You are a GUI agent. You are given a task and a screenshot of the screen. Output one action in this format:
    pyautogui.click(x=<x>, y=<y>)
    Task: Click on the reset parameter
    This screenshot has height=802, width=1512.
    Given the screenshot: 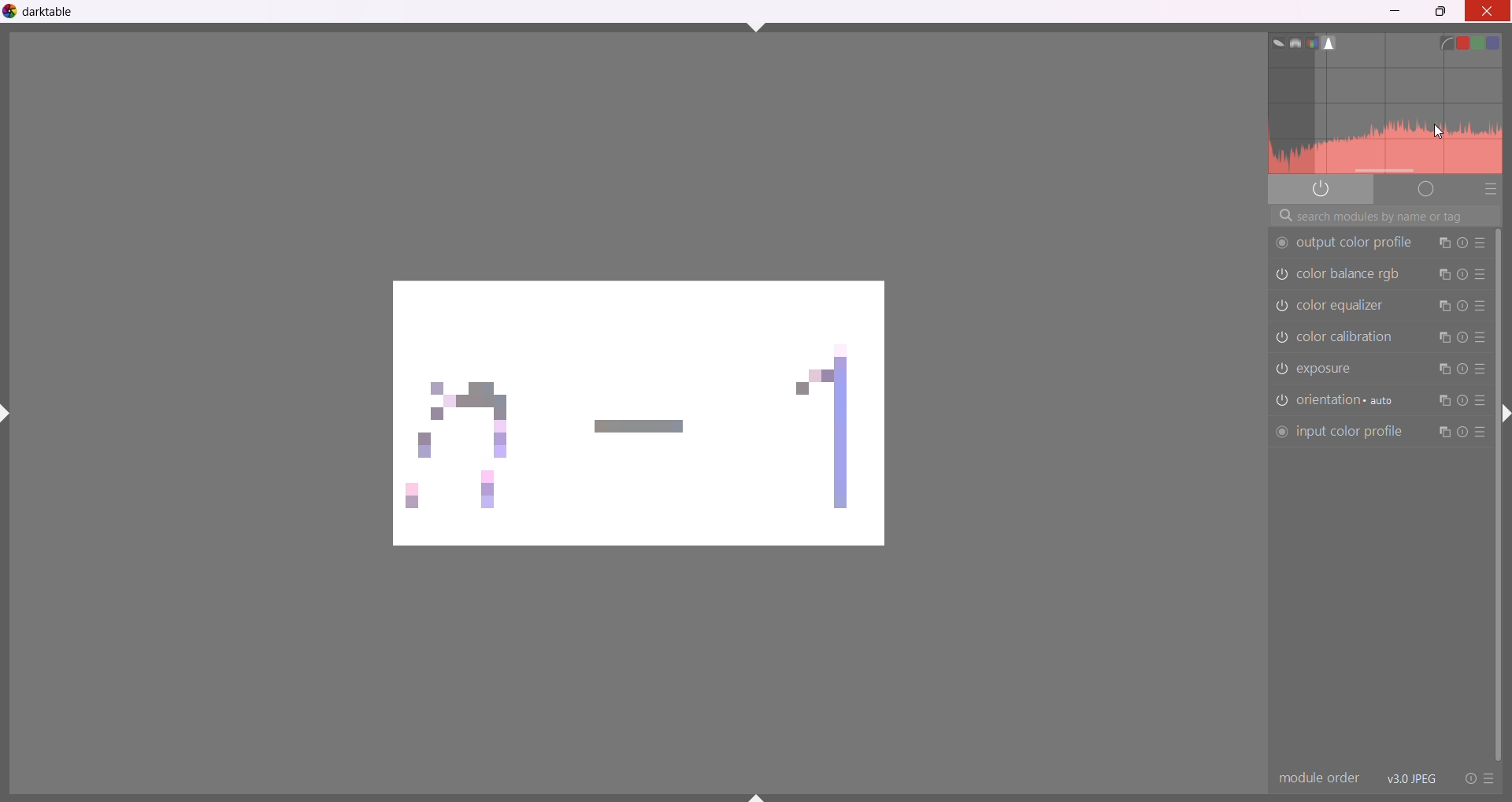 What is the action you would take?
    pyautogui.click(x=1462, y=433)
    